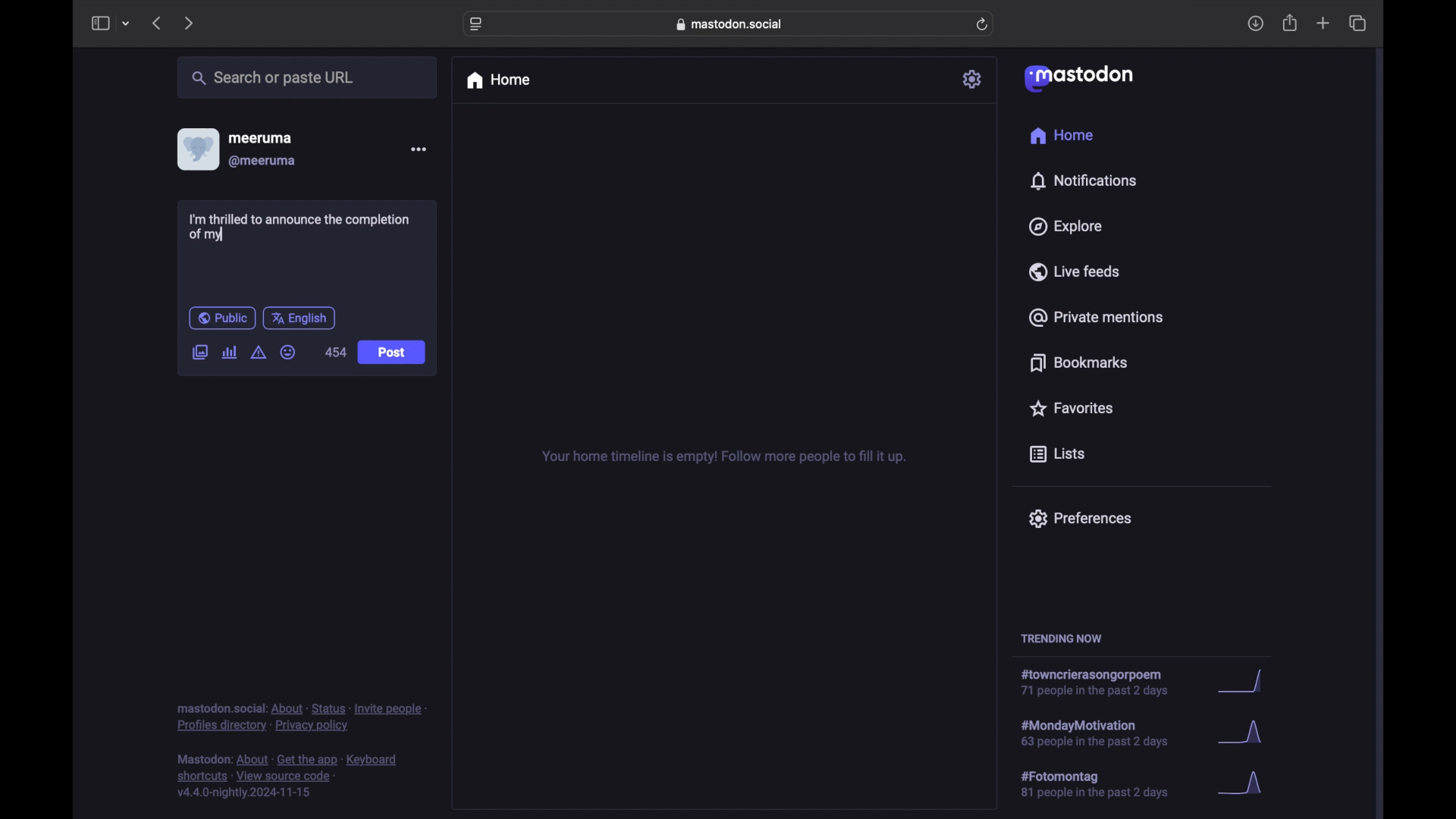 The image size is (1456, 819). Describe the element at coordinates (199, 353) in the screenshot. I see `add image` at that location.